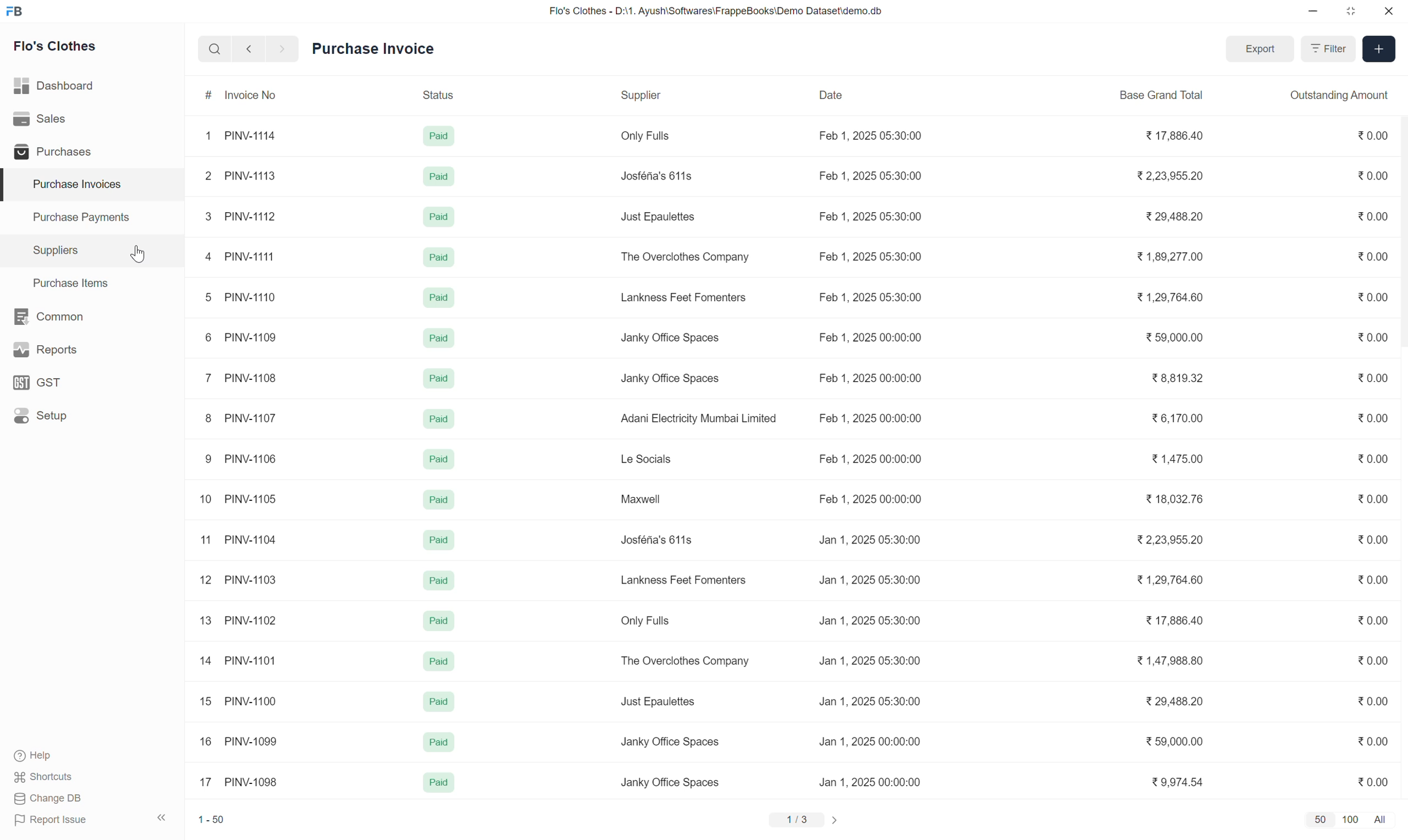  What do you see at coordinates (1372, 337) in the screenshot?
I see `0.00` at bounding box center [1372, 337].